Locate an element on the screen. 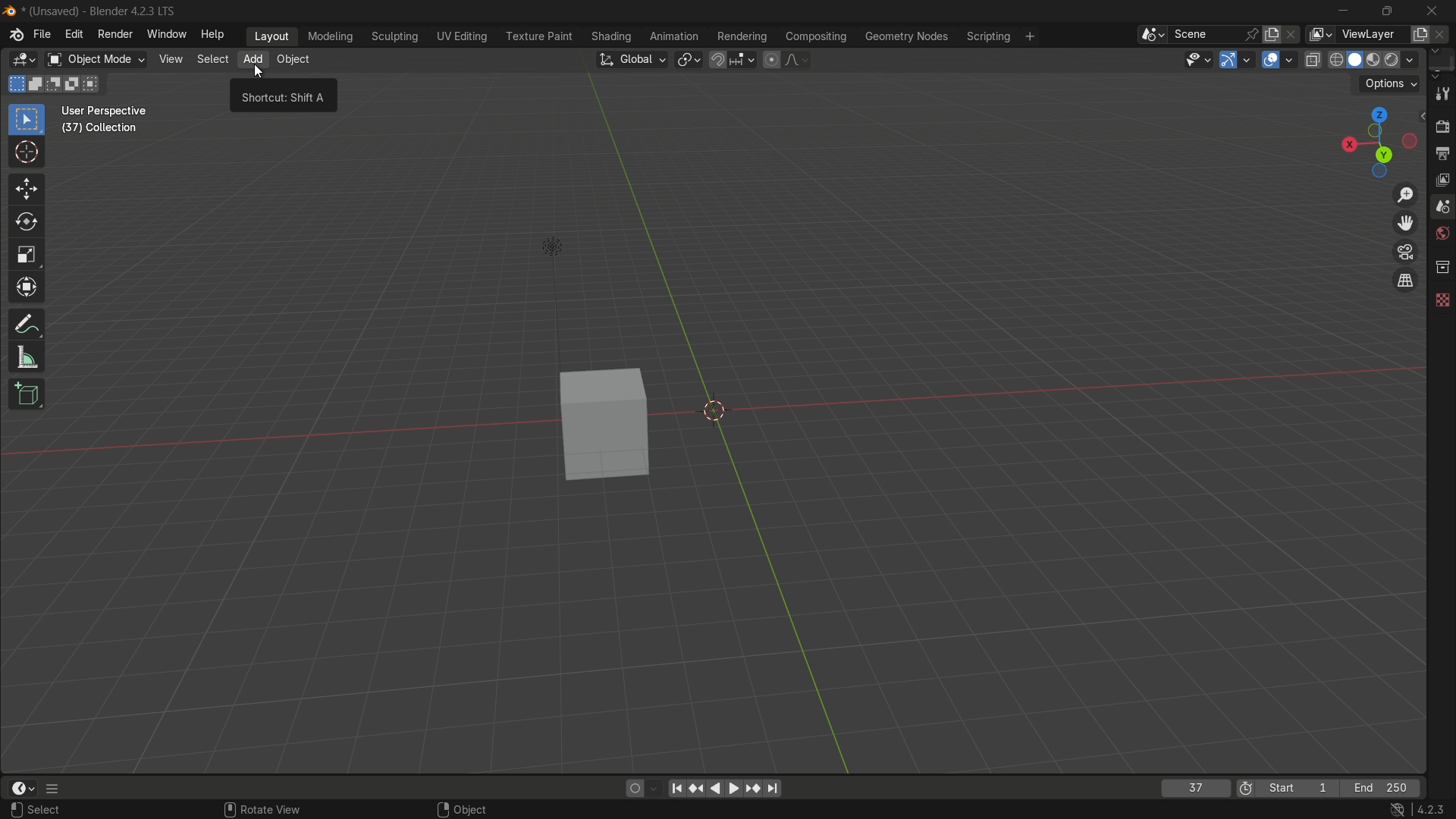 Image resolution: width=1456 pixels, height=819 pixels. options is located at coordinates (1392, 83).